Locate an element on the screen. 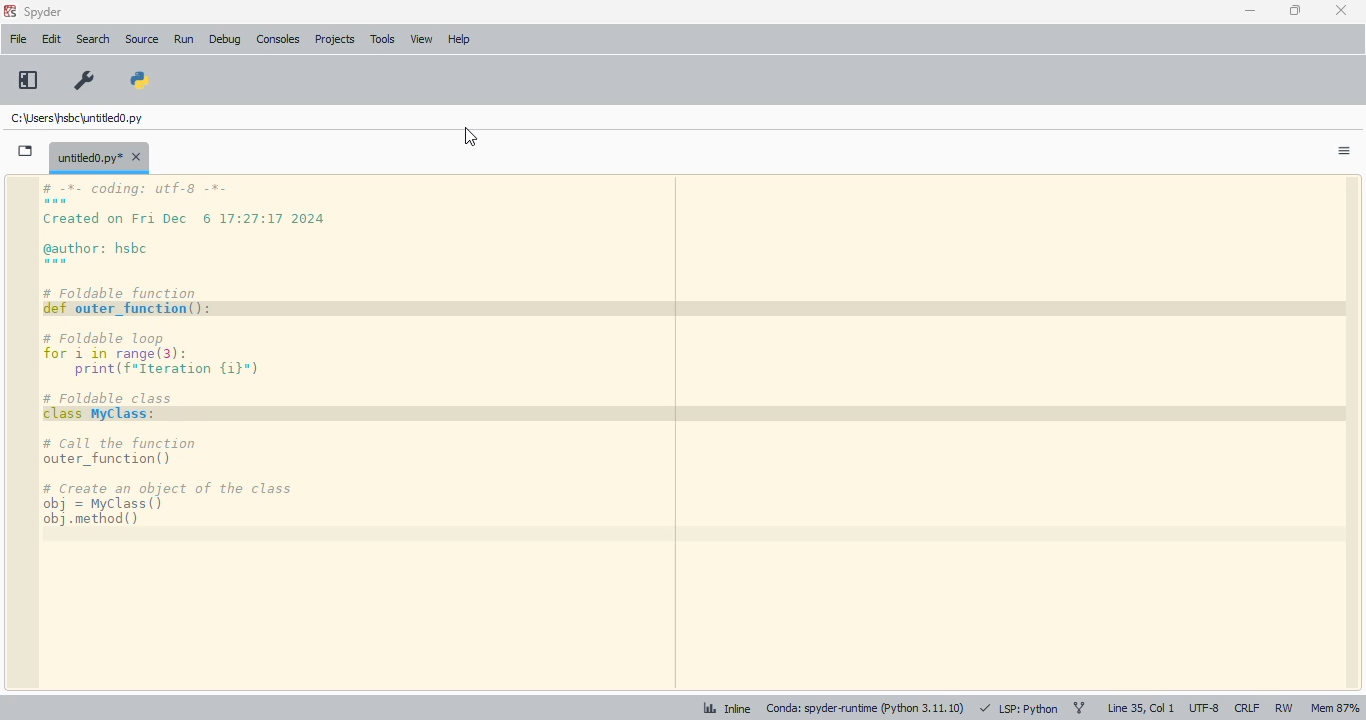 The height and width of the screenshot is (720, 1366). tools is located at coordinates (383, 40).